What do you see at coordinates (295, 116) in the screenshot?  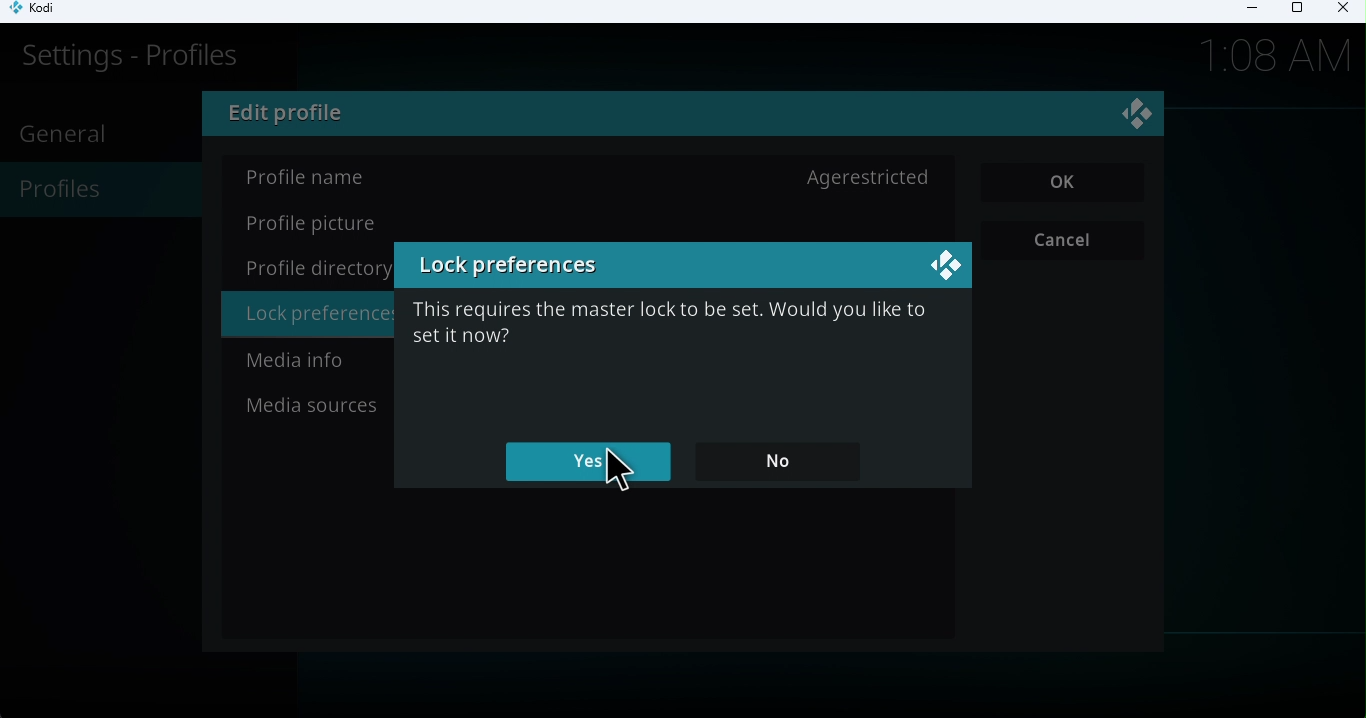 I see `Edit profile` at bounding box center [295, 116].